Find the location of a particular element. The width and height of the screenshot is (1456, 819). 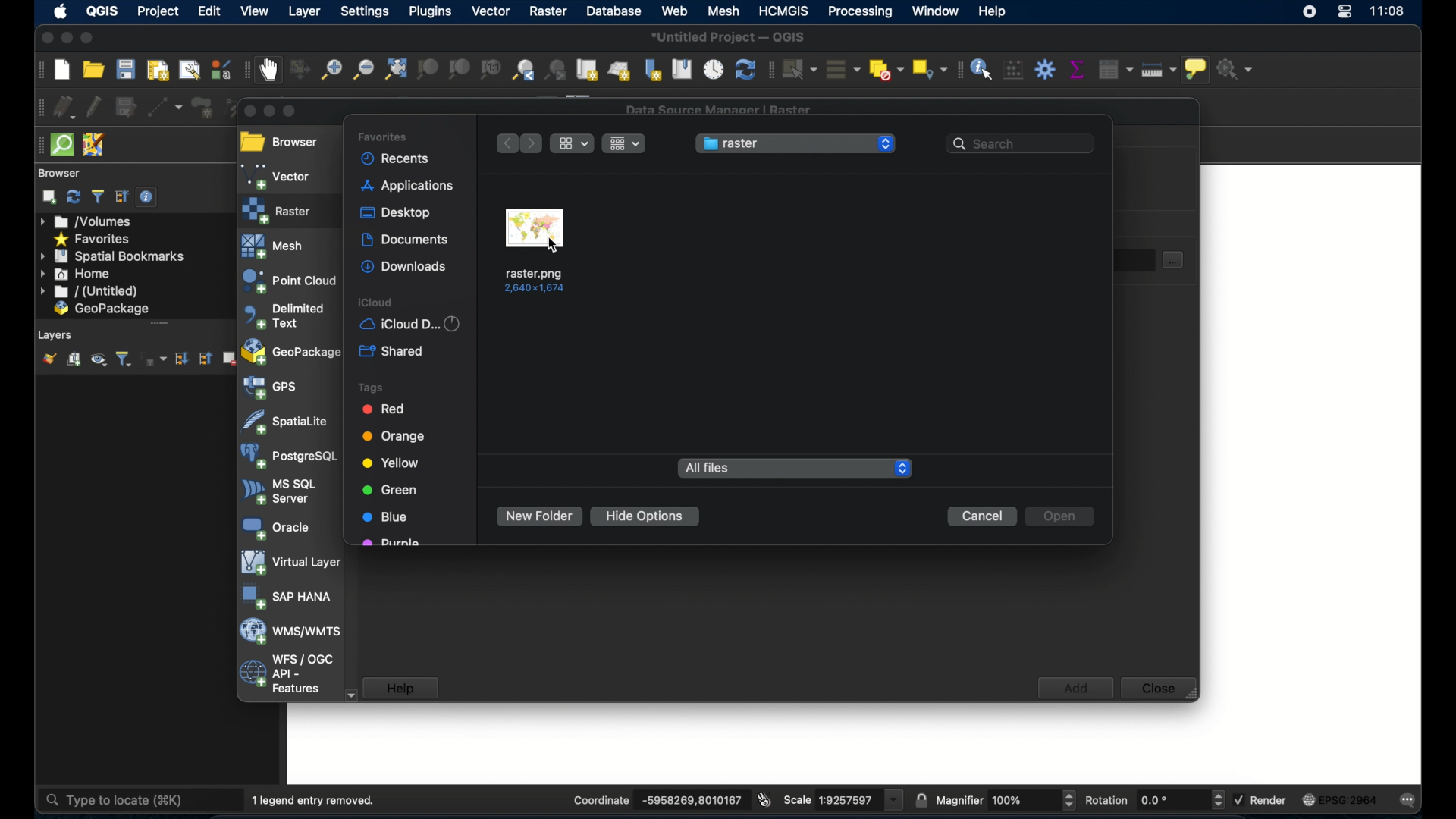

scroll down arrow is located at coordinates (350, 694).